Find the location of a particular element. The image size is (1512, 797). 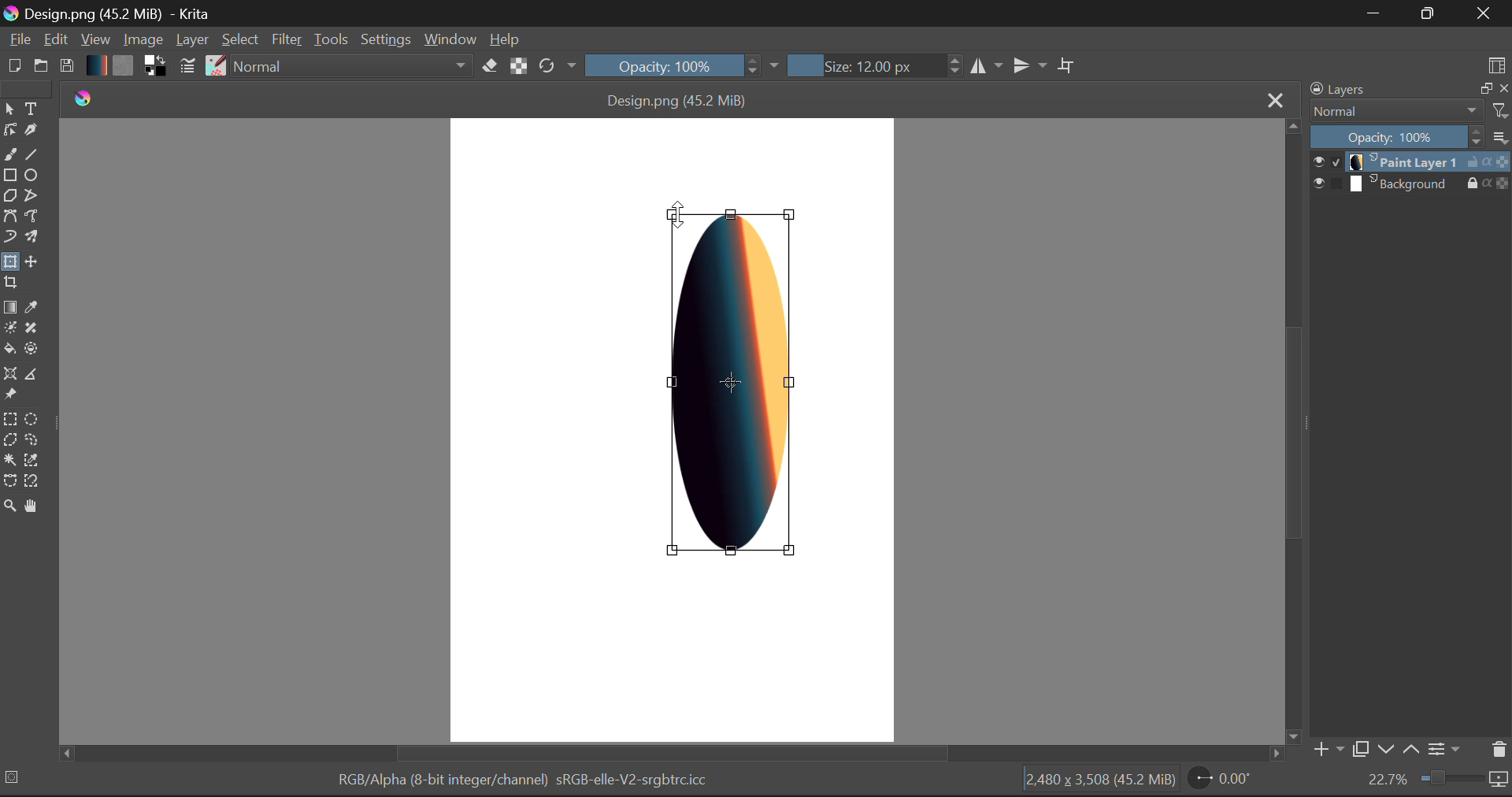

View is located at coordinates (94, 39).